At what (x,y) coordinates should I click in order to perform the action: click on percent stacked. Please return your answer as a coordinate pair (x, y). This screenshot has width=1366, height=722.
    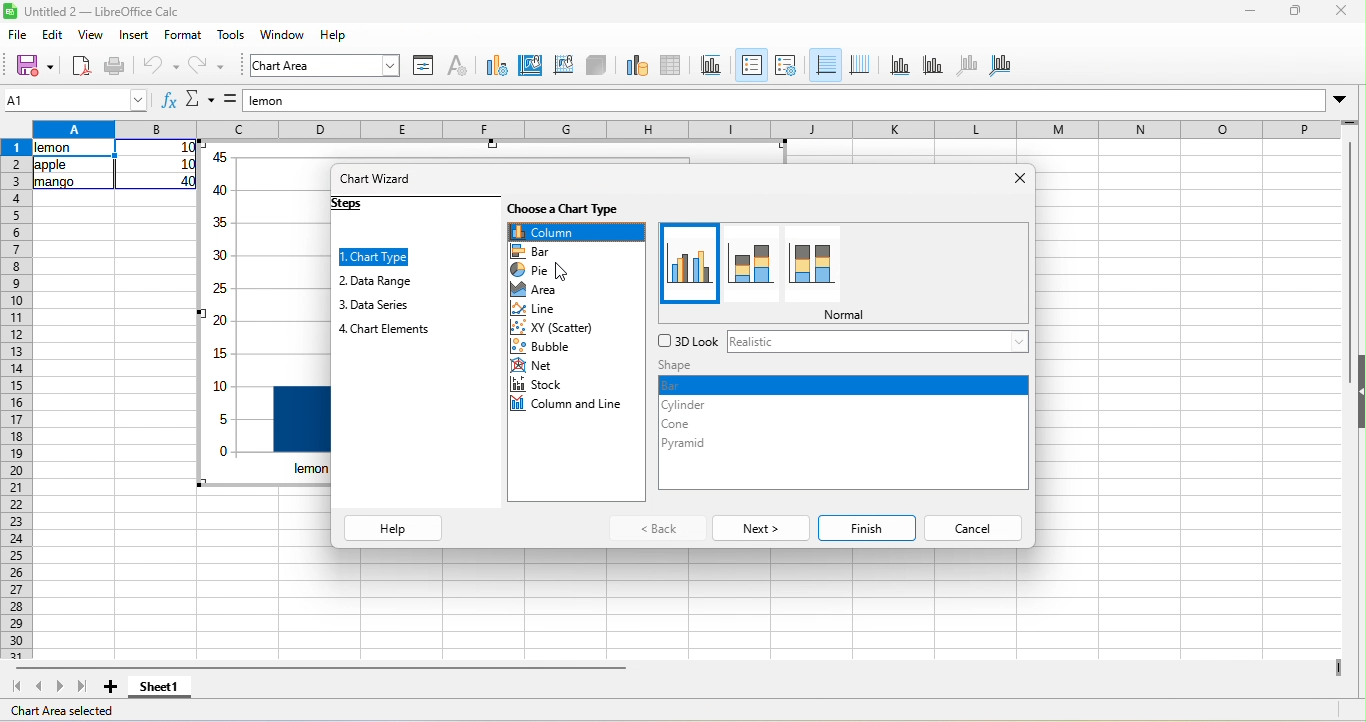
    Looking at the image, I should click on (829, 258).